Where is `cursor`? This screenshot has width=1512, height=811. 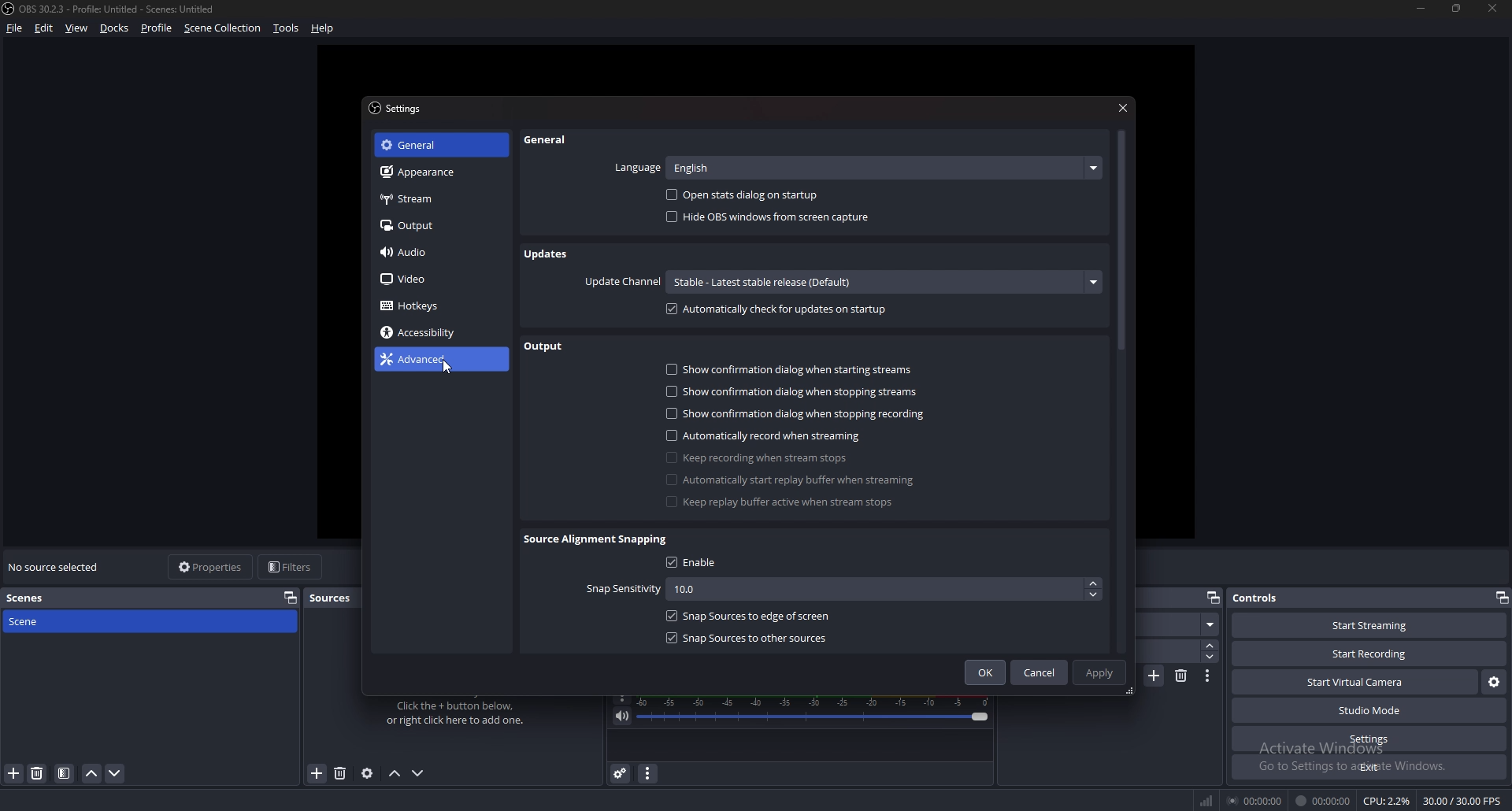
cursor is located at coordinates (449, 369).